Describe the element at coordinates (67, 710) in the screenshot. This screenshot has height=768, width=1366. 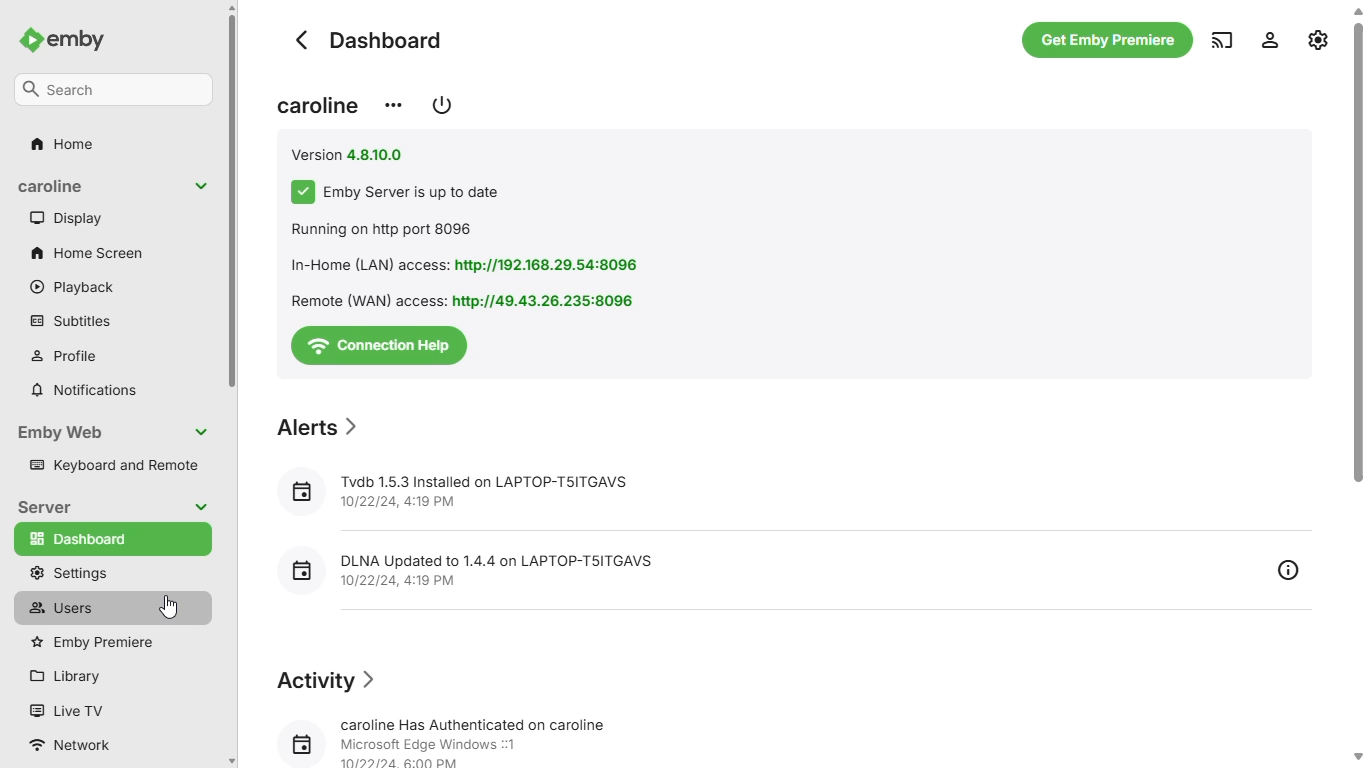
I see `live TV` at that location.